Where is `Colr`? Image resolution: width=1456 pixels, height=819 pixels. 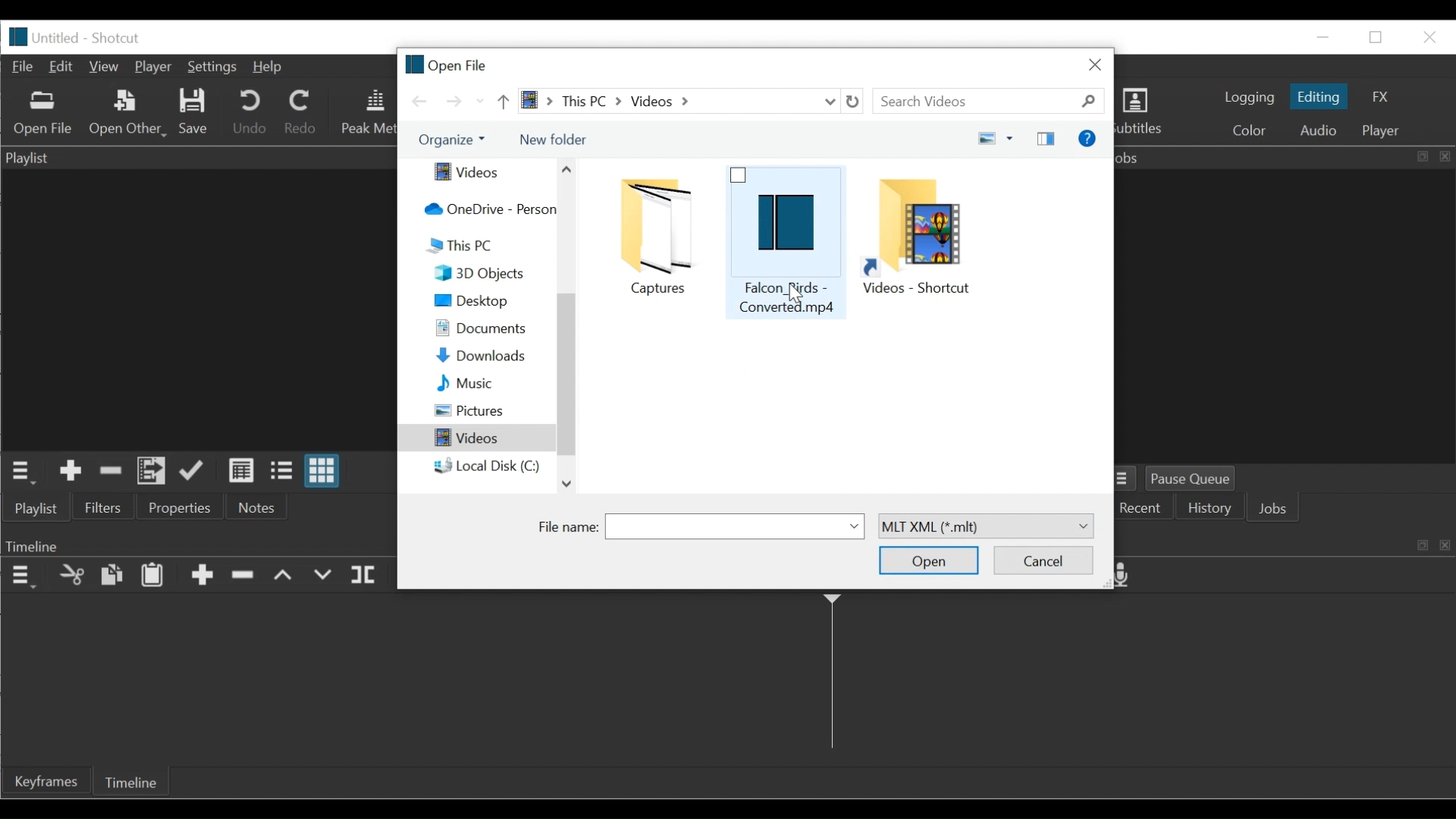
Colr is located at coordinates (1250, 129).